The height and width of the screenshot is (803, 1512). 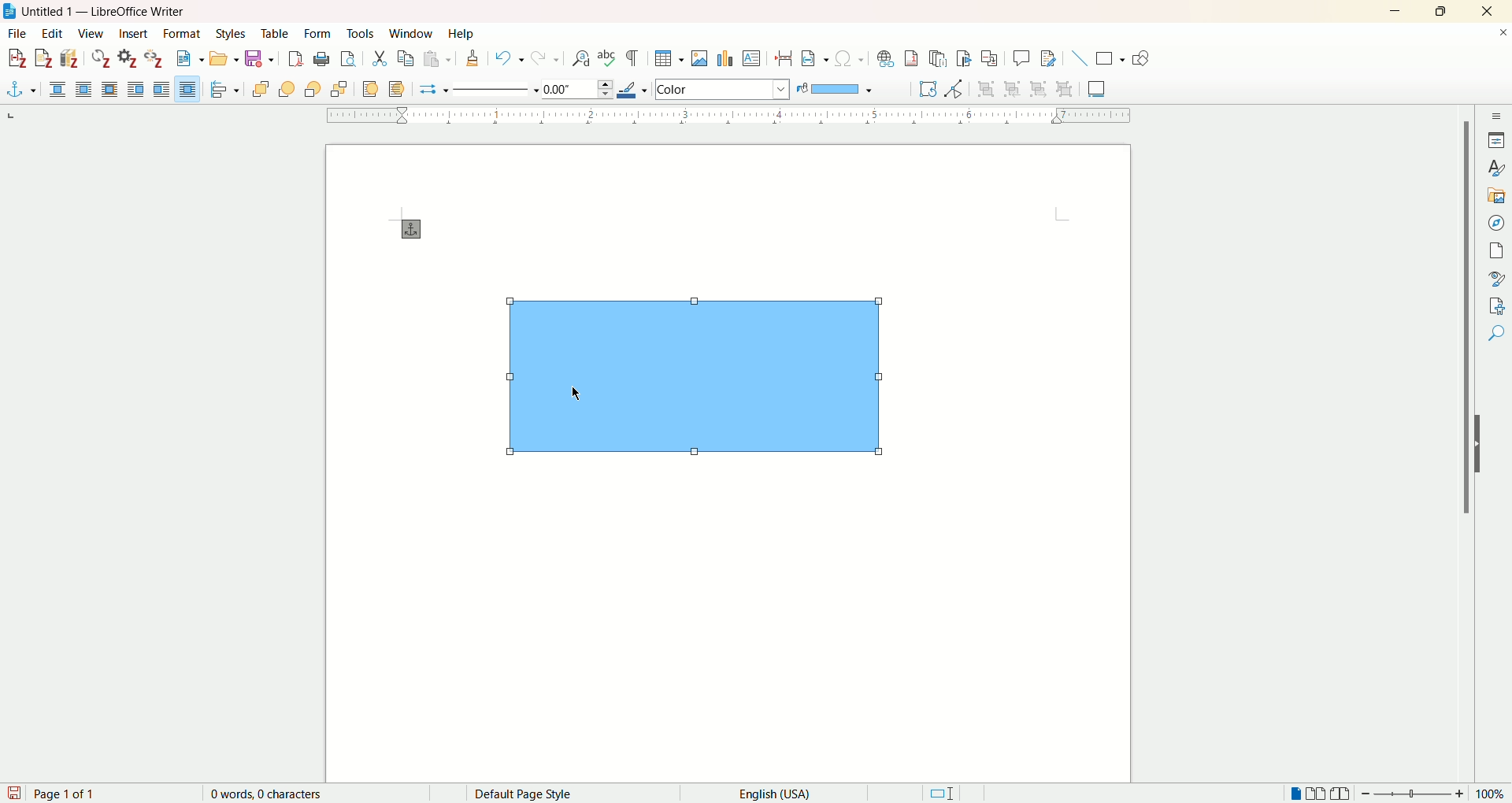 I want to click on Cursor, so click(x=578, y=393).